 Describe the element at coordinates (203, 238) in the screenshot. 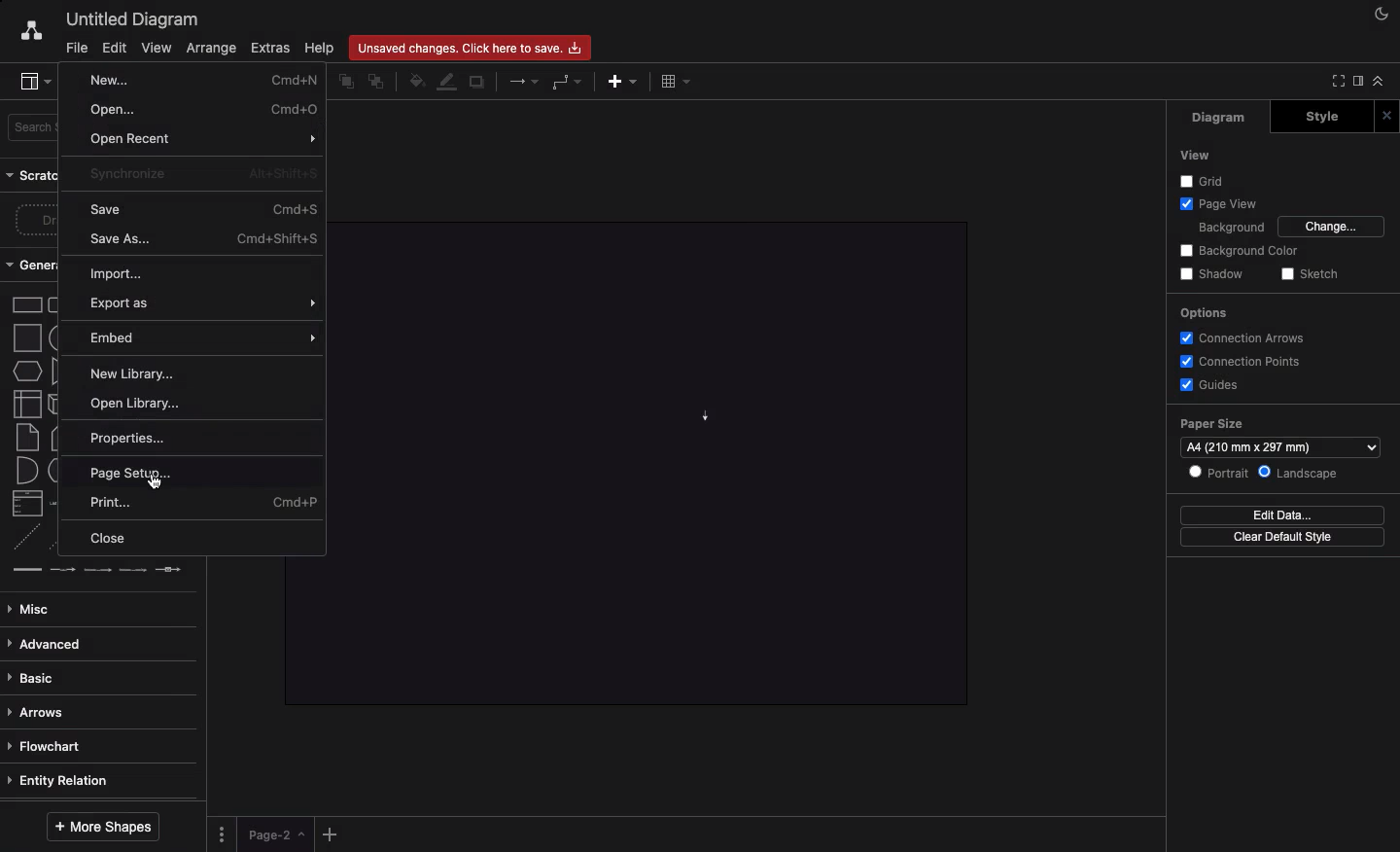

I see `Save as` at that location.